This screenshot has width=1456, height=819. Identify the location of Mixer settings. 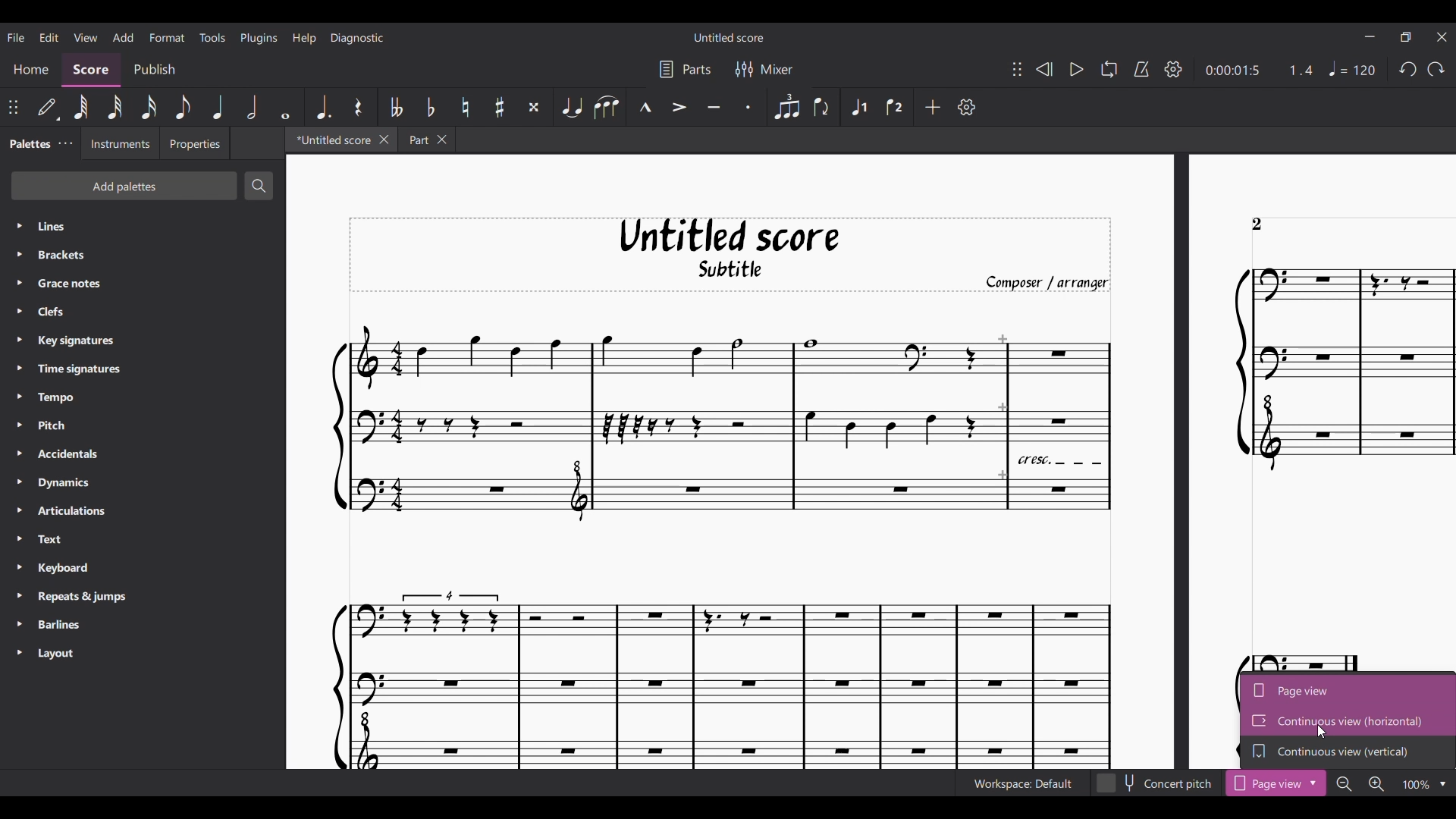
(764, 69).